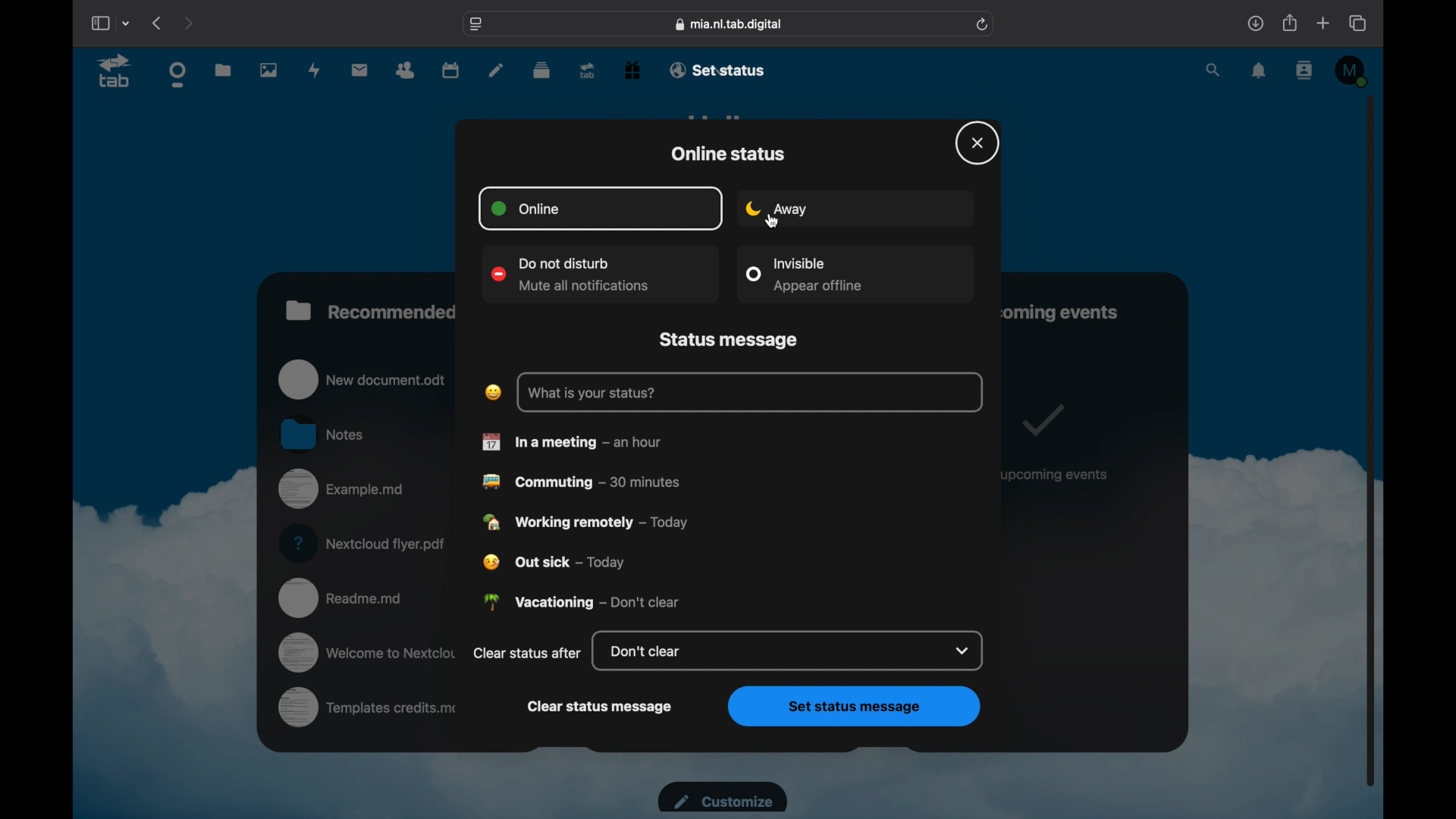 The width and height of the screenshot is (1456, 819). Describe the element at coordinates (99, 23) in the screenshot. I see `show sidebar` at that location.